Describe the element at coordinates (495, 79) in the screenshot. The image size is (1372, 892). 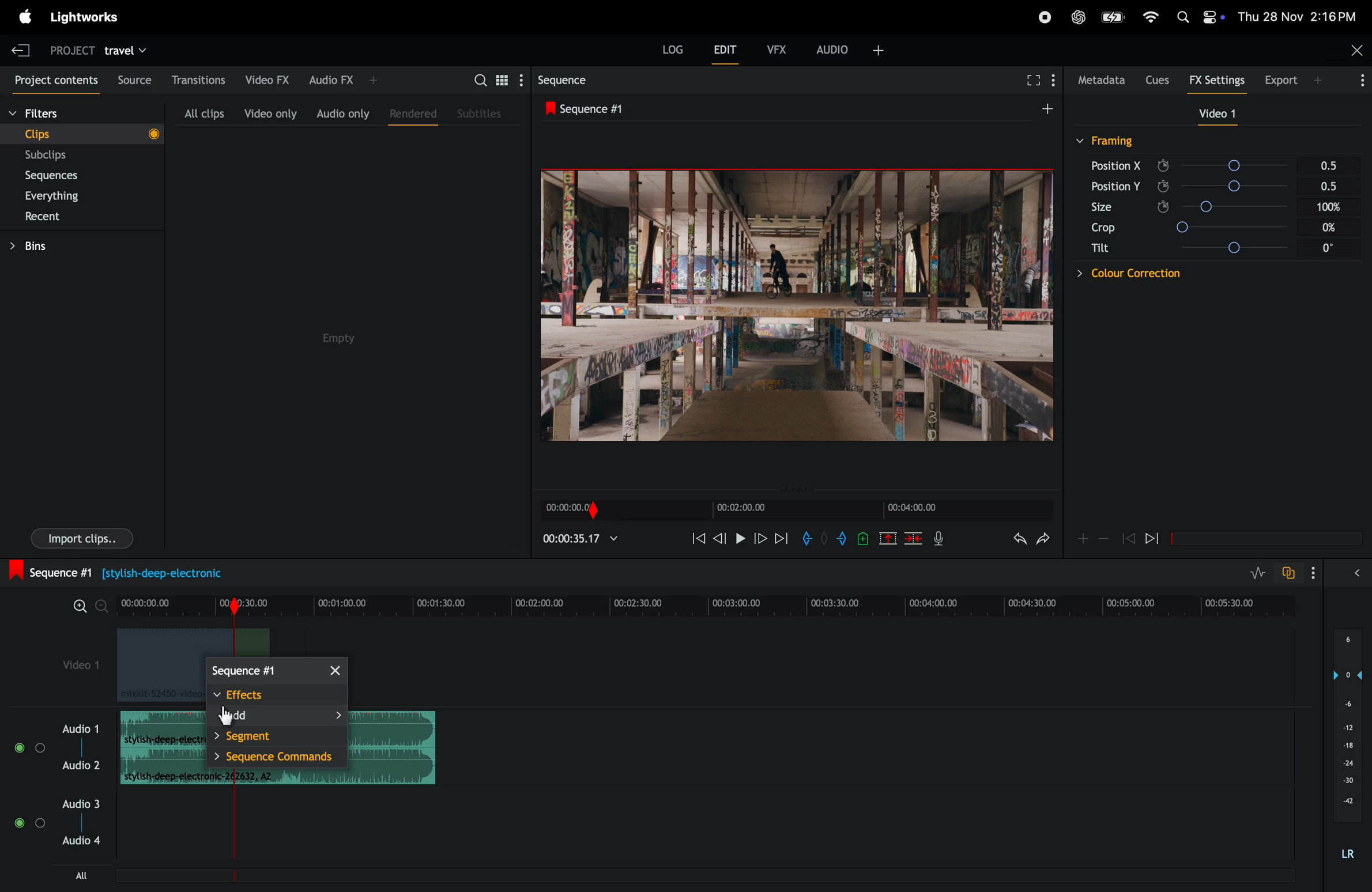
I see `search` at that location.